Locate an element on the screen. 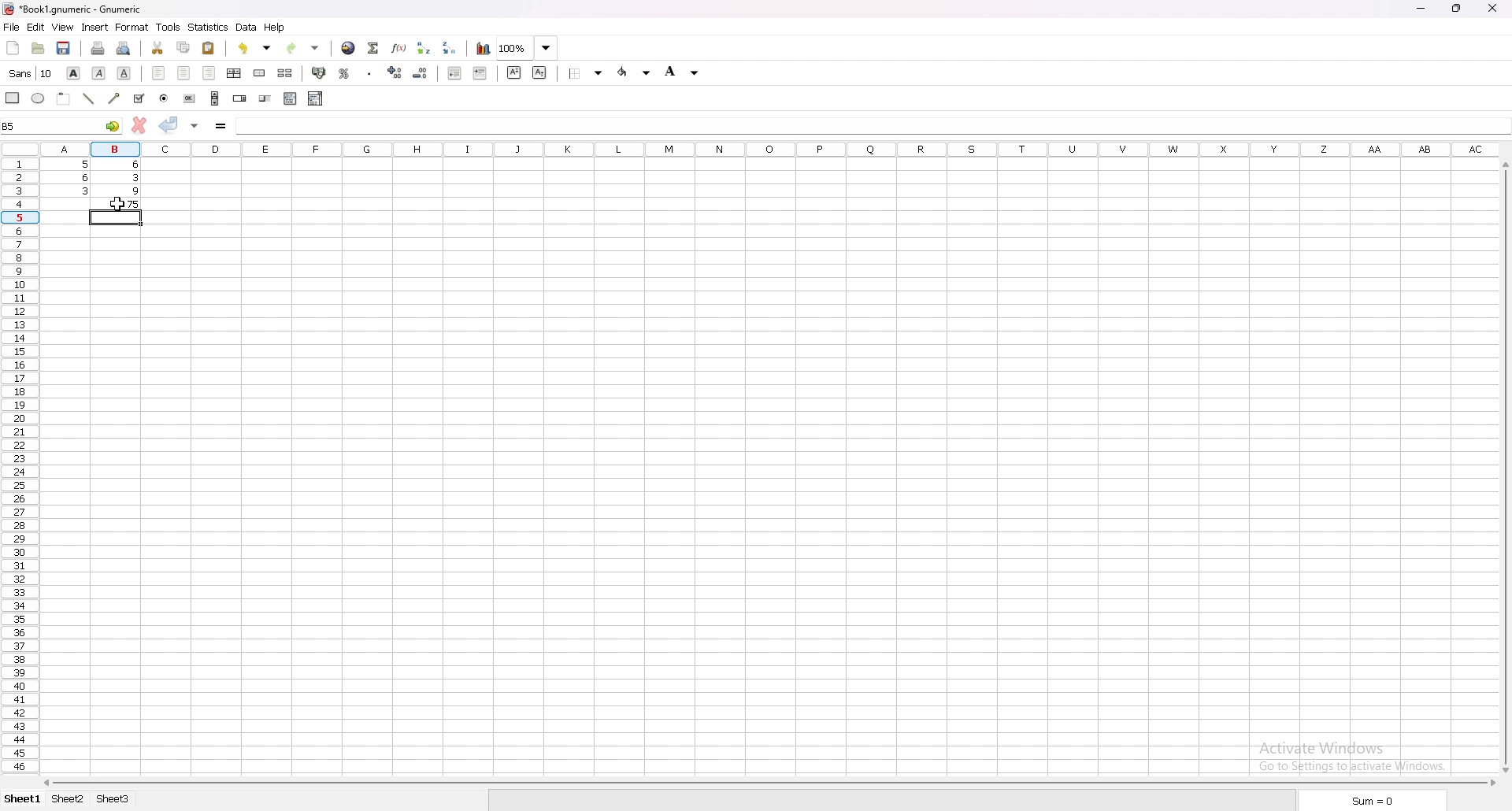 The height and width of the screenshot is (811, 1512). subscript is located at coordinates (539, 72).